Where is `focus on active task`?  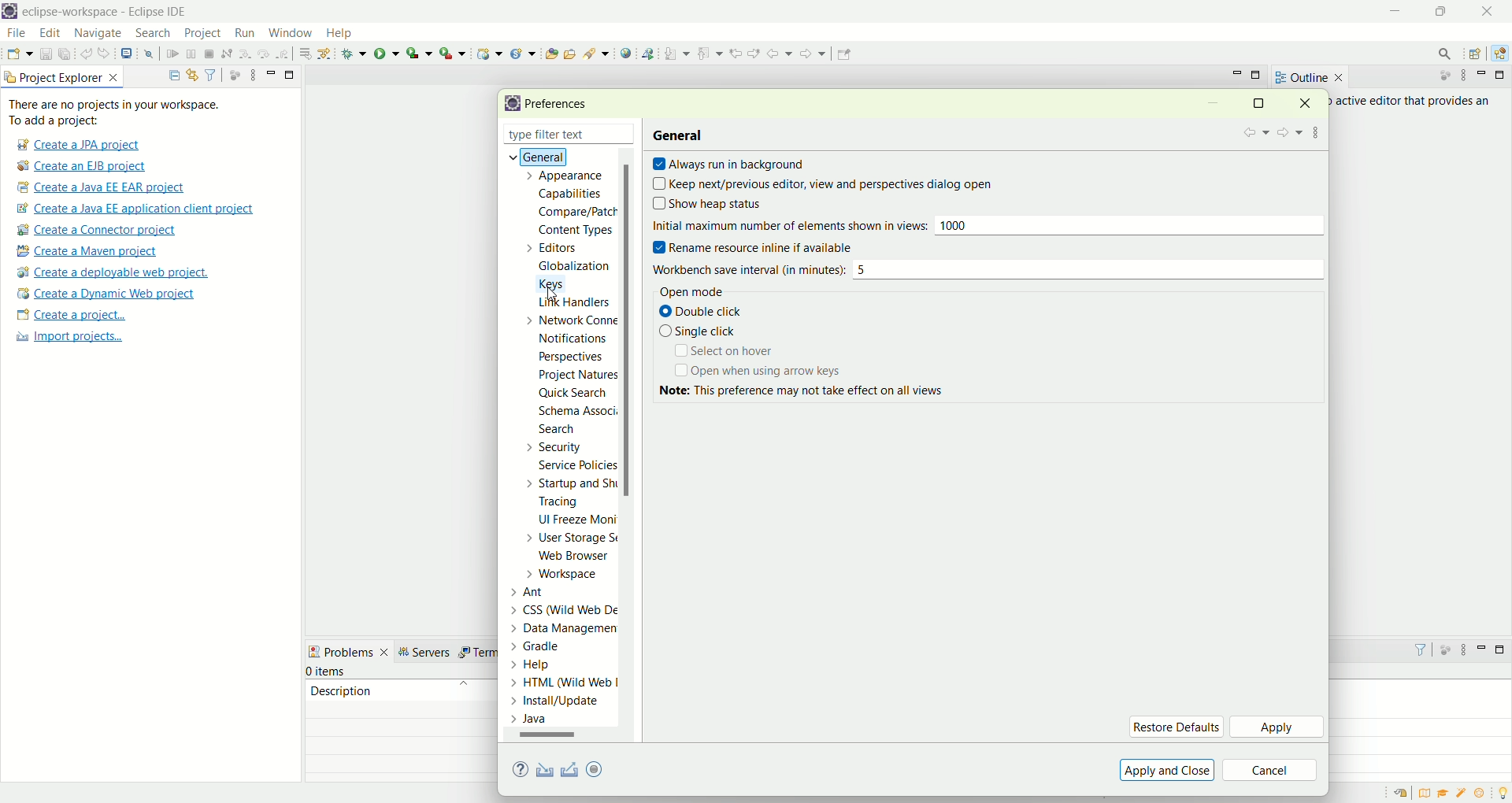
focus on active task is located at coordinates (1444, 649).